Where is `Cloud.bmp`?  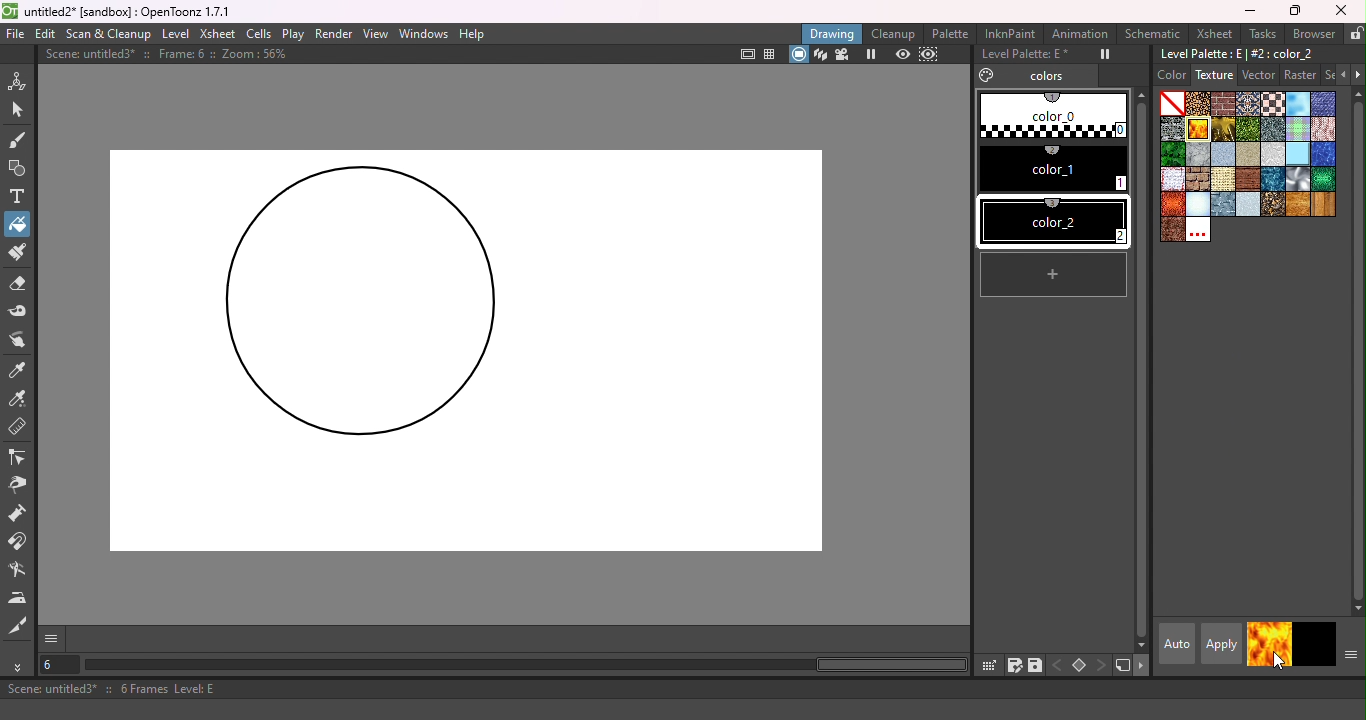 Cloud.bmp is located at coordinates (1298, 103).